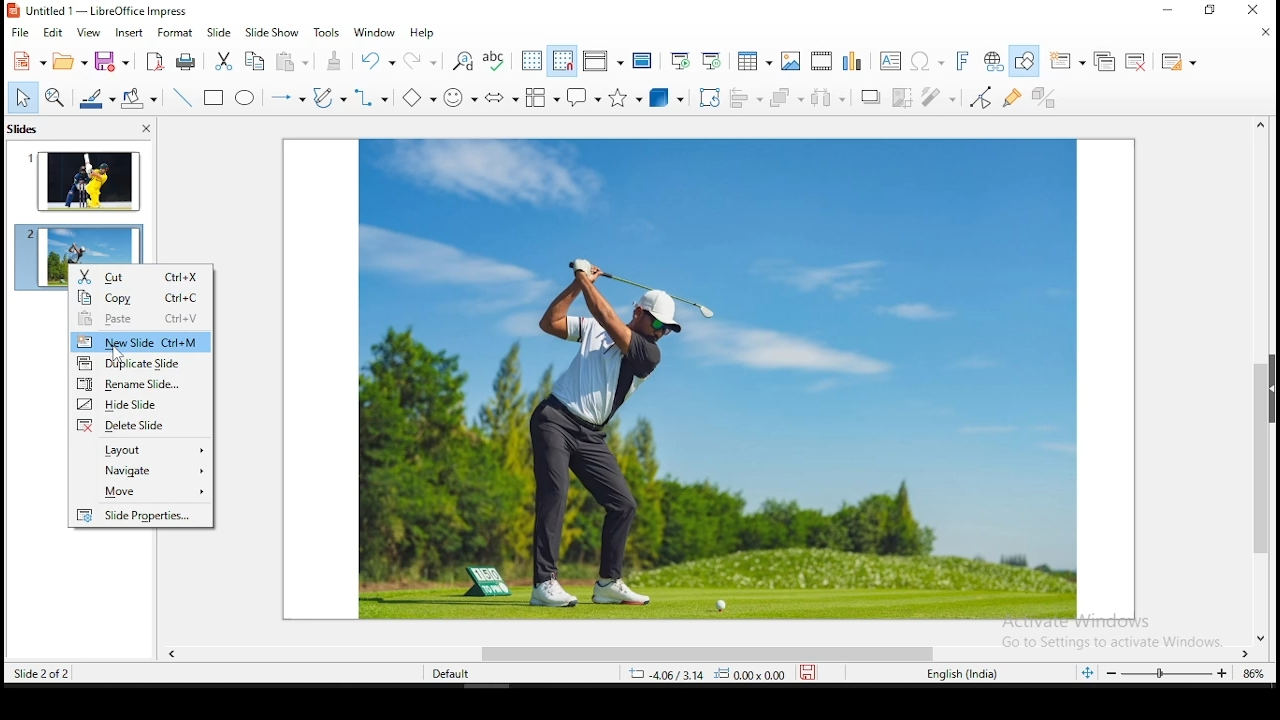 The height and width of the screenshot is (720, 1280). I want to click on open, so click(68, 60).